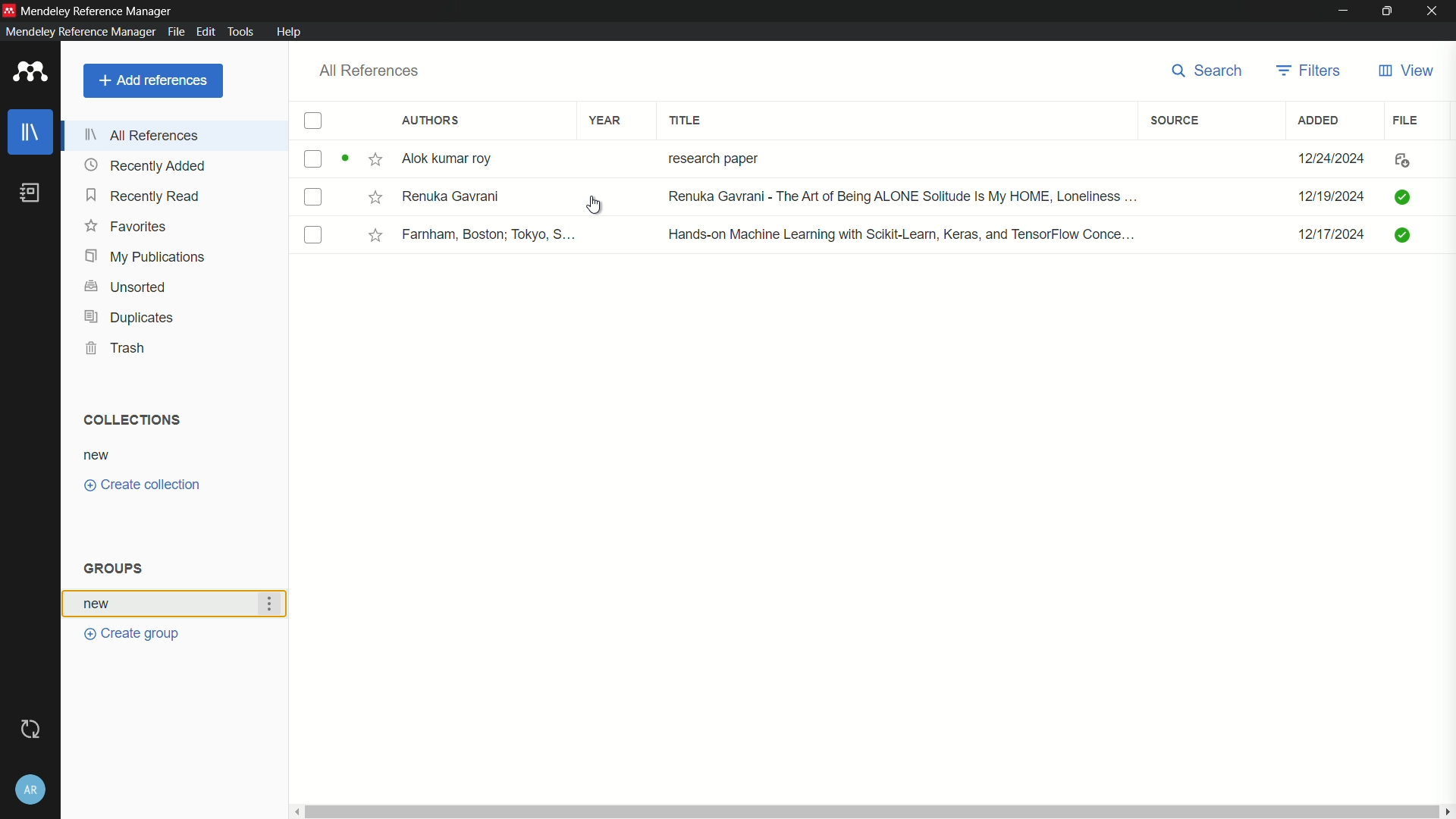 This screenshot has width=1456, height=819. Describe the element at coordinates (376, 235) in the screenshot. I see `Star` at that location.